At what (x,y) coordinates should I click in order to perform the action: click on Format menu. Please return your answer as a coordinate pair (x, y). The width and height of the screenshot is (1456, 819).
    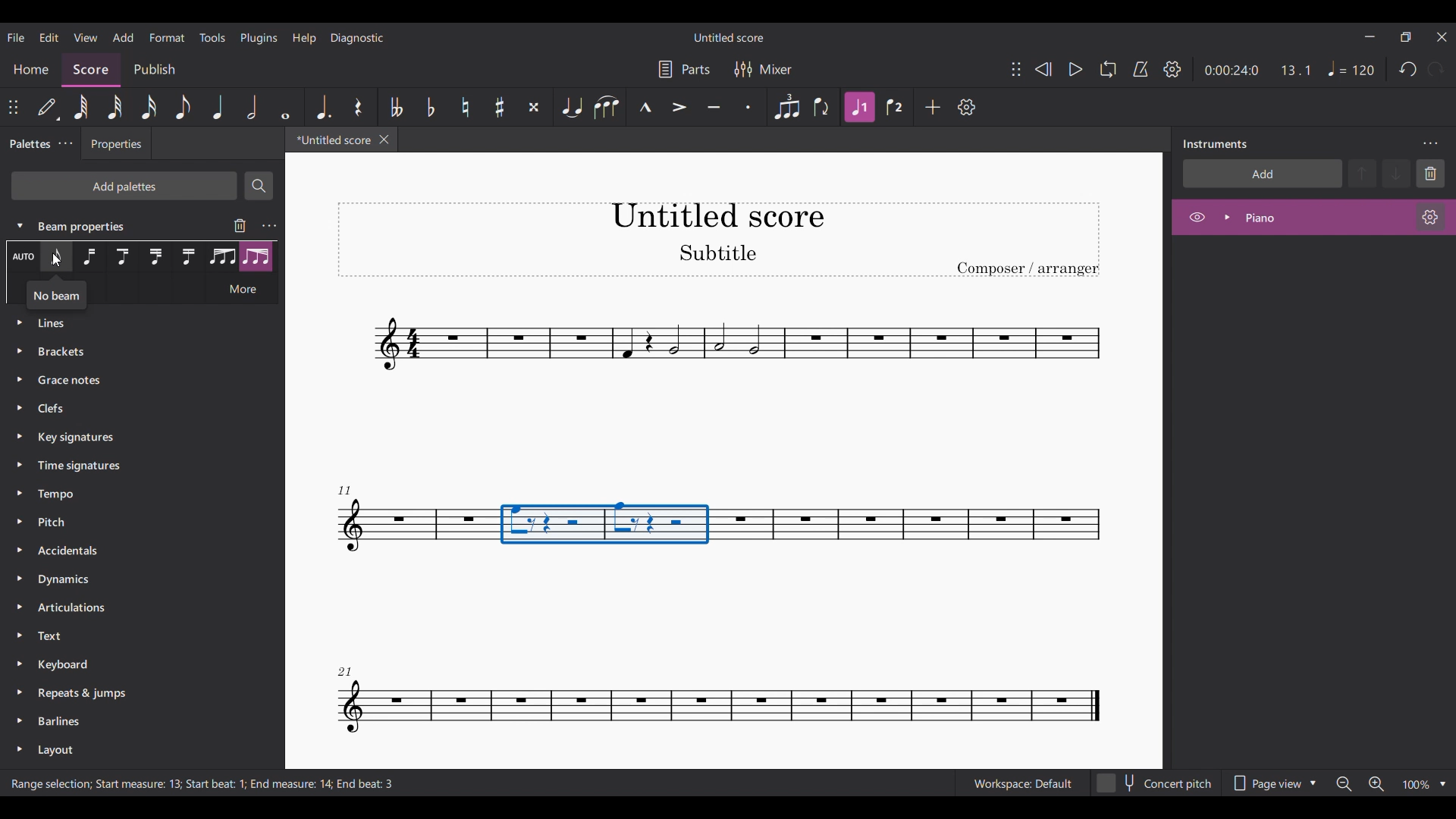
    Looking at the image, I should click on (167, 37).